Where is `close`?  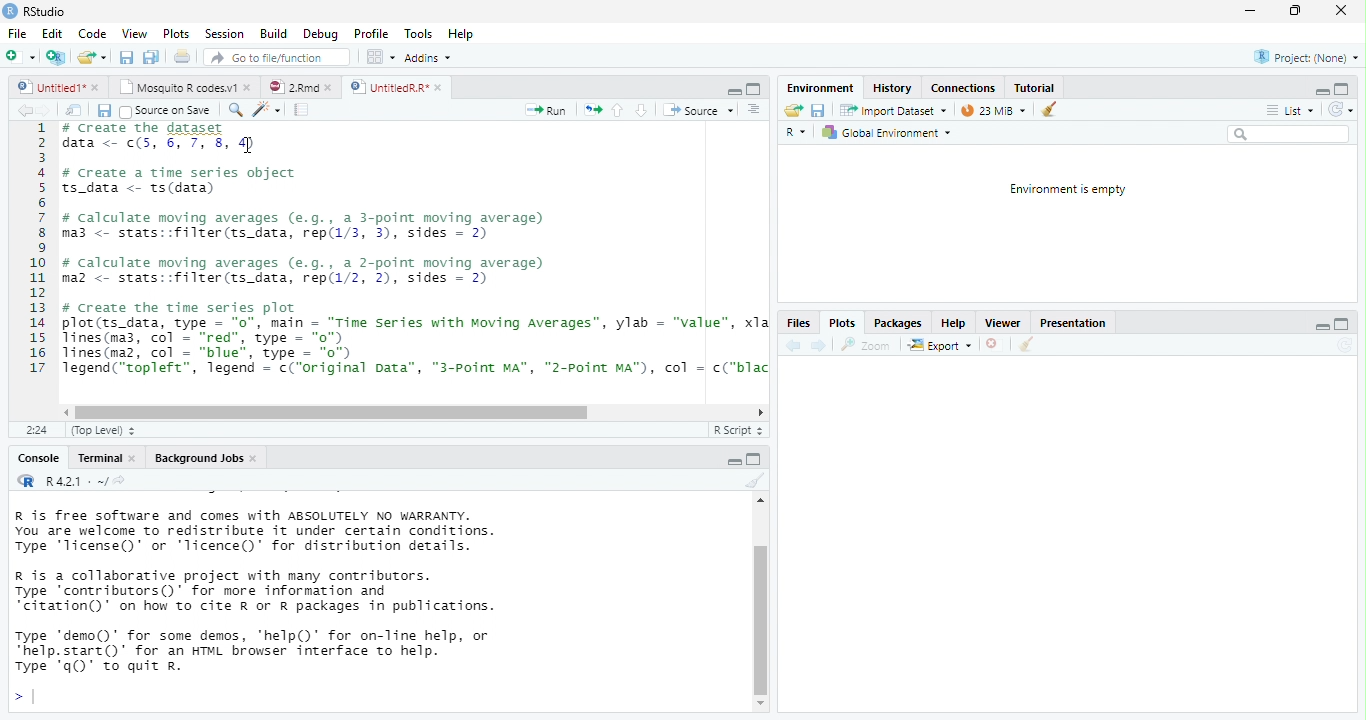 close is located at coordinates (1340, 11).